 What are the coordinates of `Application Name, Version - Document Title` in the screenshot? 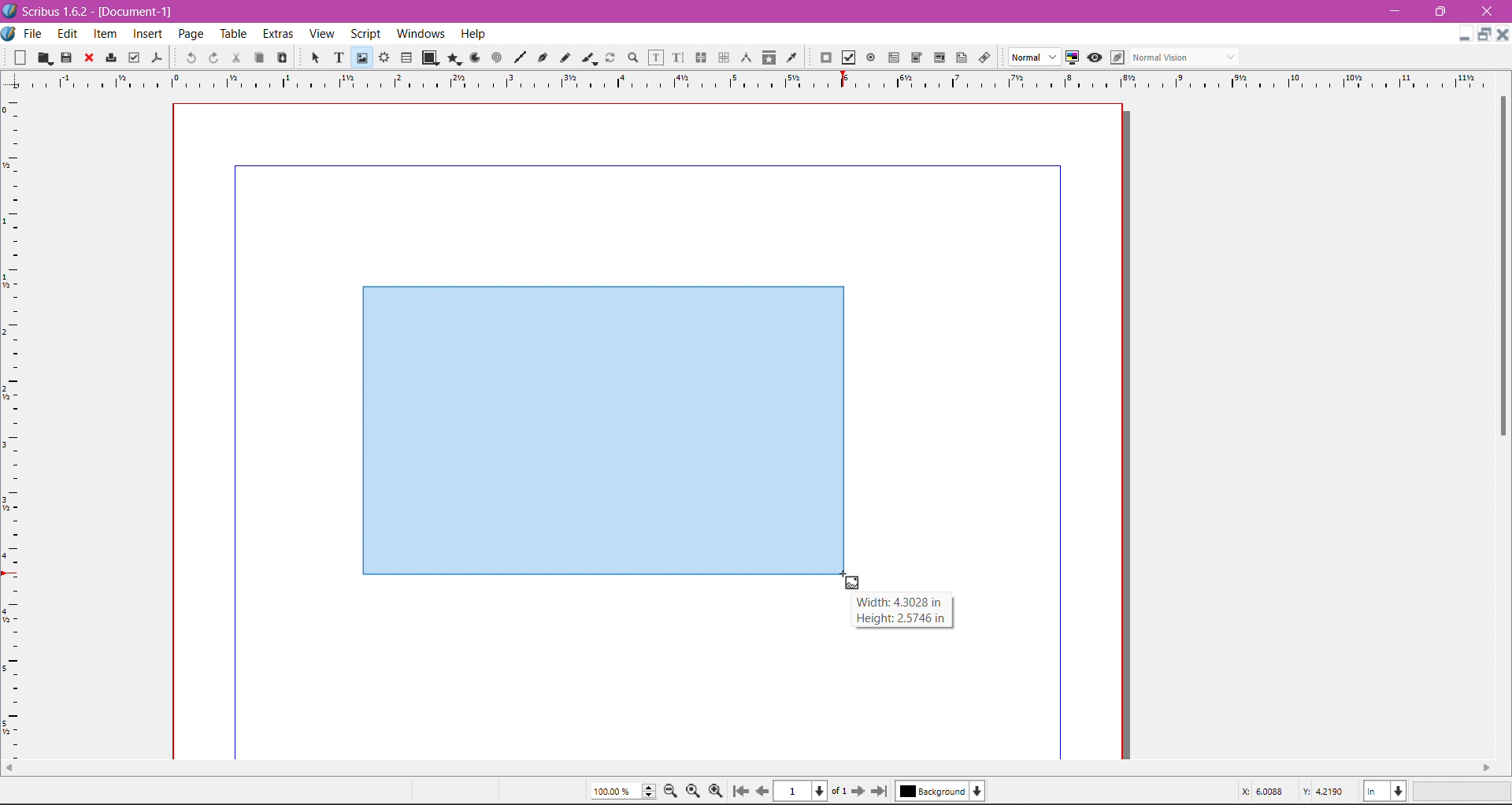 It's located at (96, 12).